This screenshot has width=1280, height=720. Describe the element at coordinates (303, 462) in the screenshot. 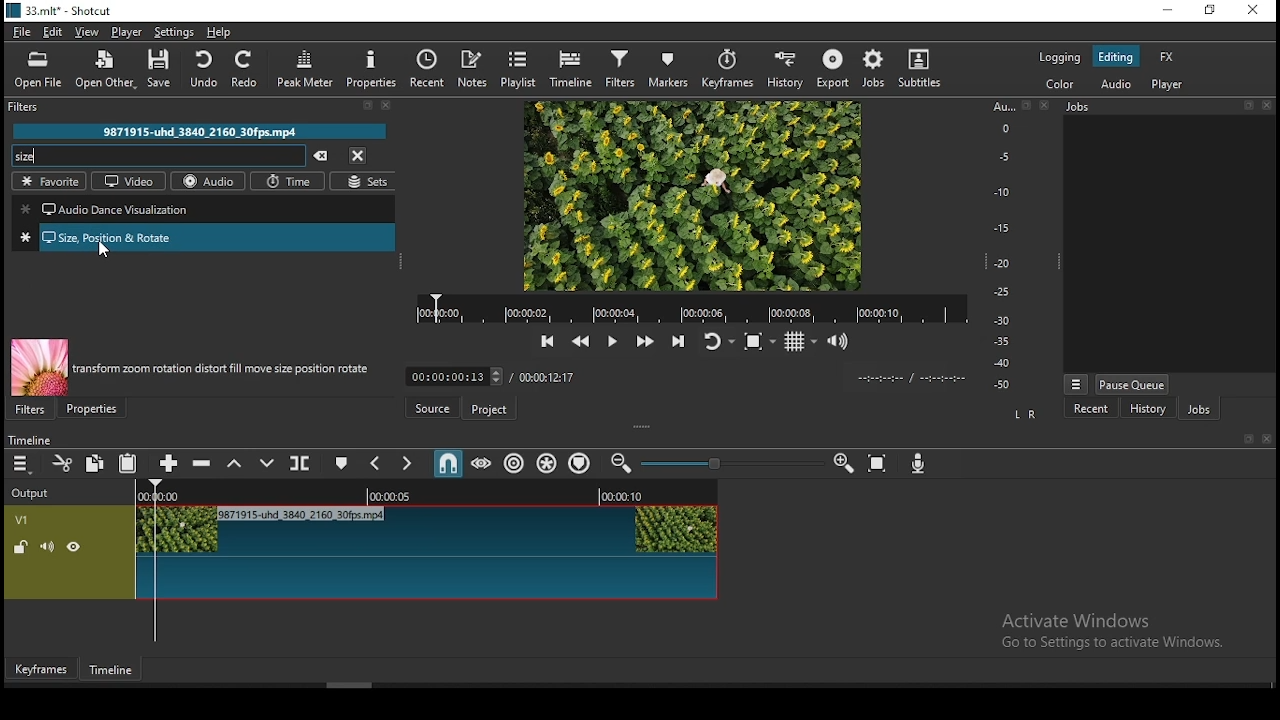

I see `split at playhead` at that location.